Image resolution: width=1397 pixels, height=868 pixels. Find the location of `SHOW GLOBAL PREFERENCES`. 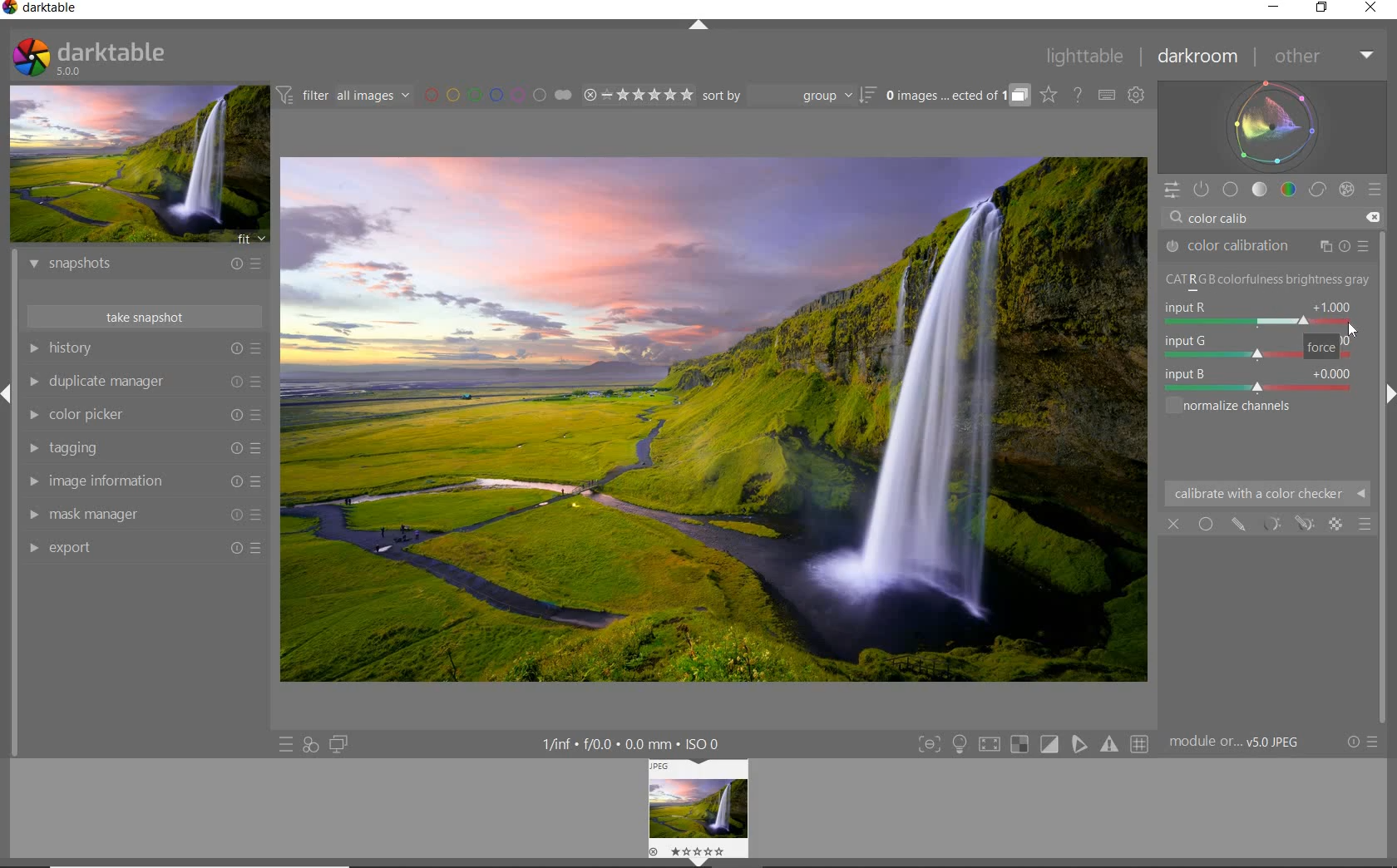

SHOW GLOBAL PREFERENCES is located at coordinates (1136, 95).